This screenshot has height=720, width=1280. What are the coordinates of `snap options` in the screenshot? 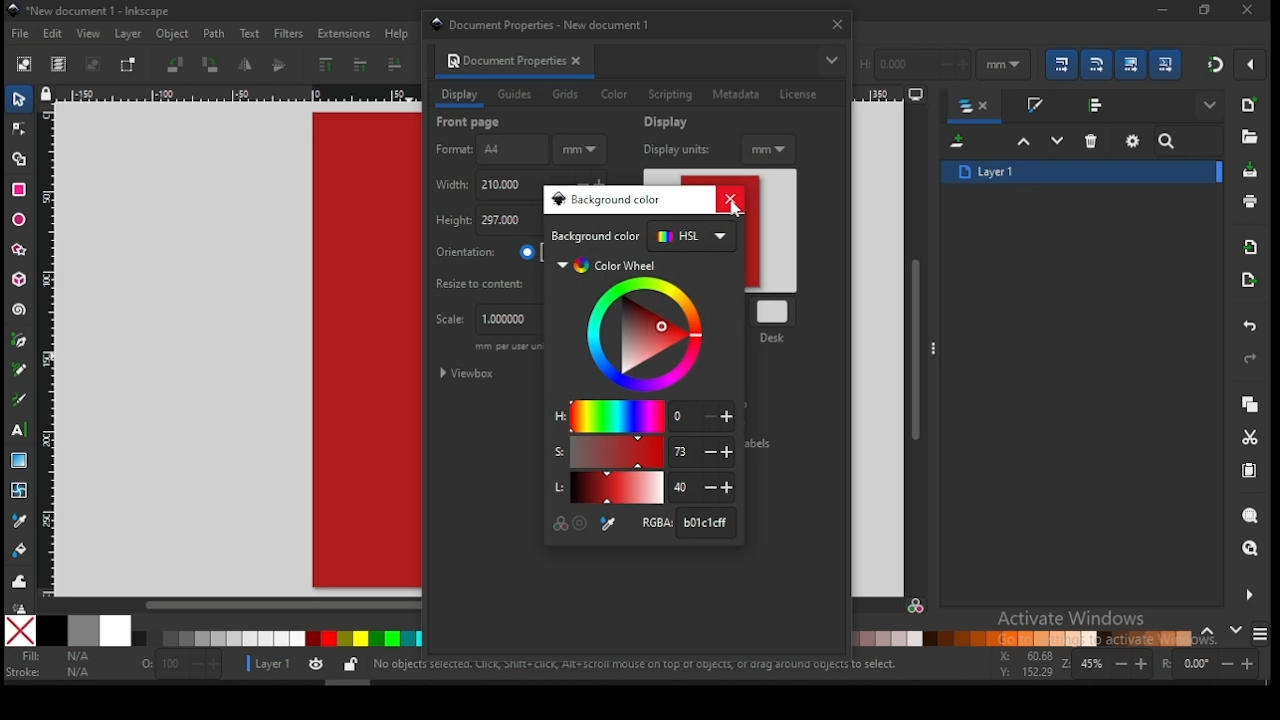 It's located at (1252, 64).